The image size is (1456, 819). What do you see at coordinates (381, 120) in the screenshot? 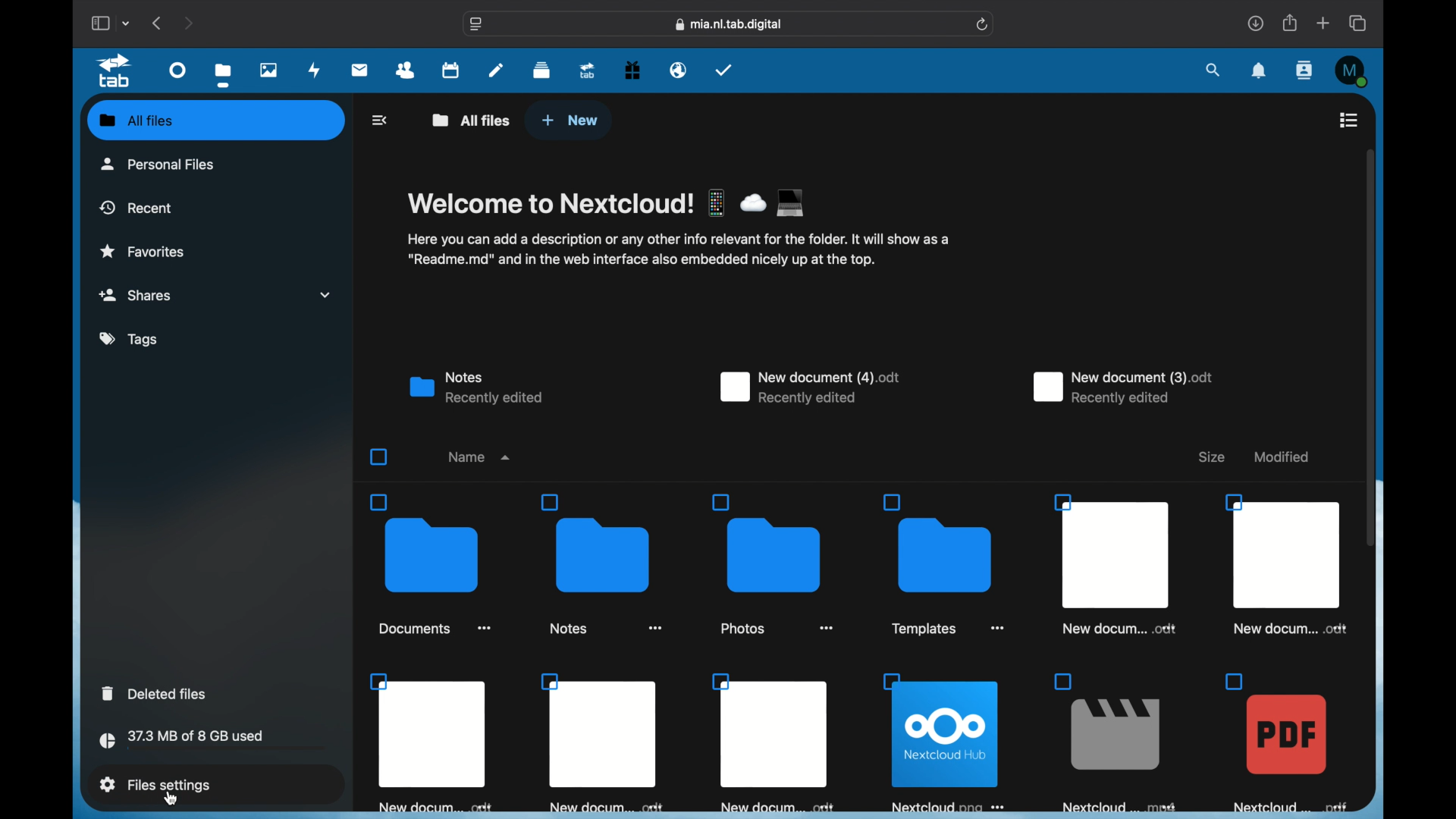
I see `back` at bounding box center [381, 120].